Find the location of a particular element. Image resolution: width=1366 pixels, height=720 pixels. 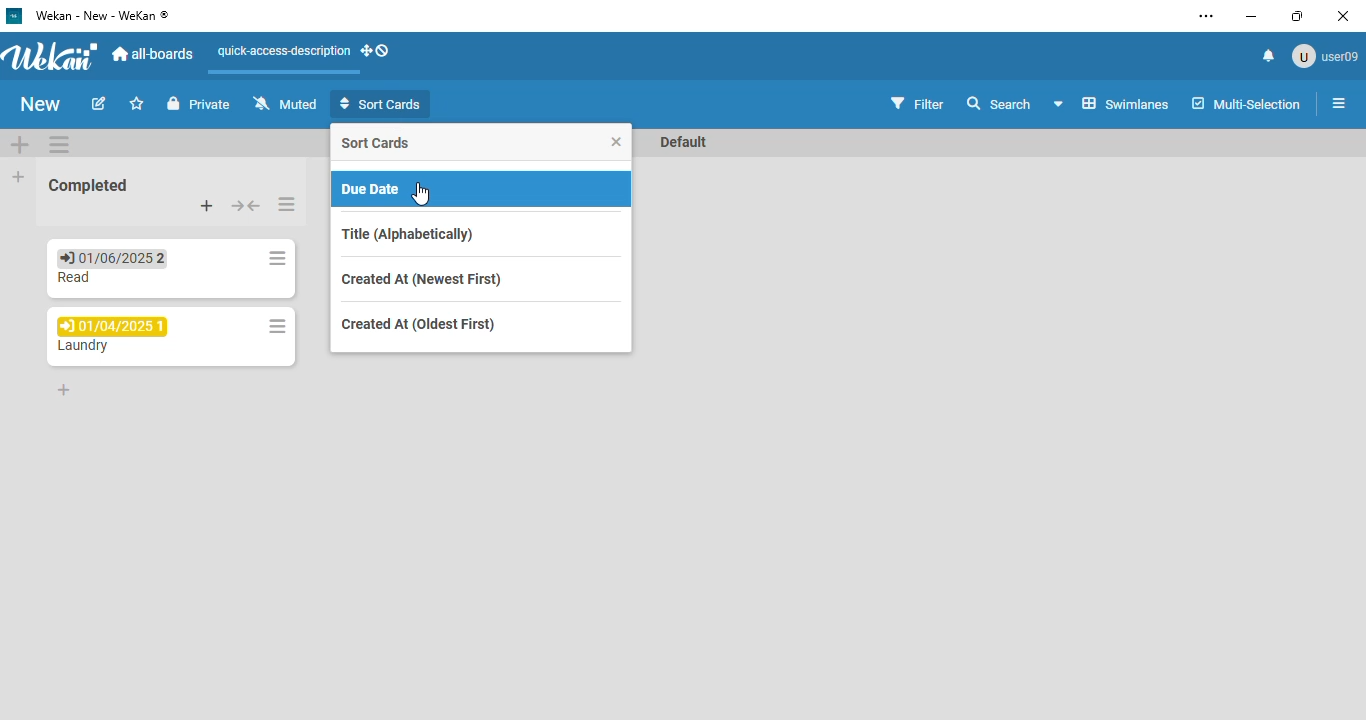

sort cards is located at coordinates (382, 104).